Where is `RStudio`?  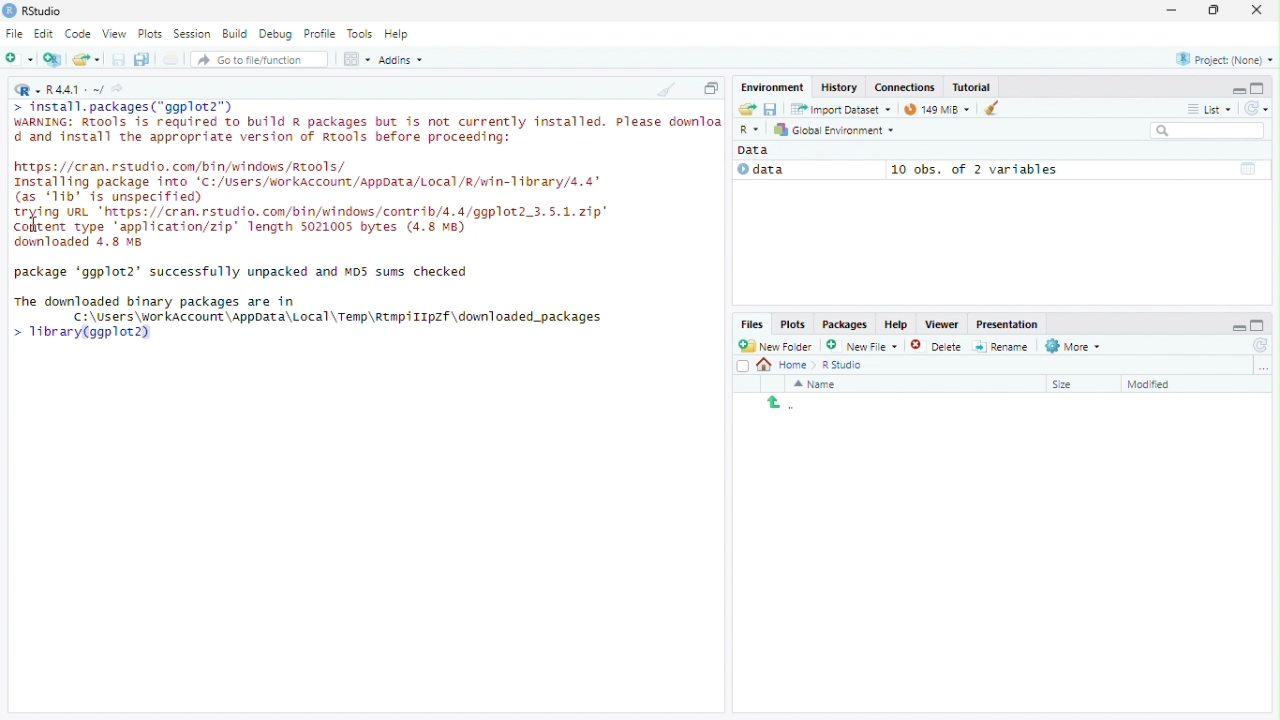 RStudio is located at coordinates (44, 9).